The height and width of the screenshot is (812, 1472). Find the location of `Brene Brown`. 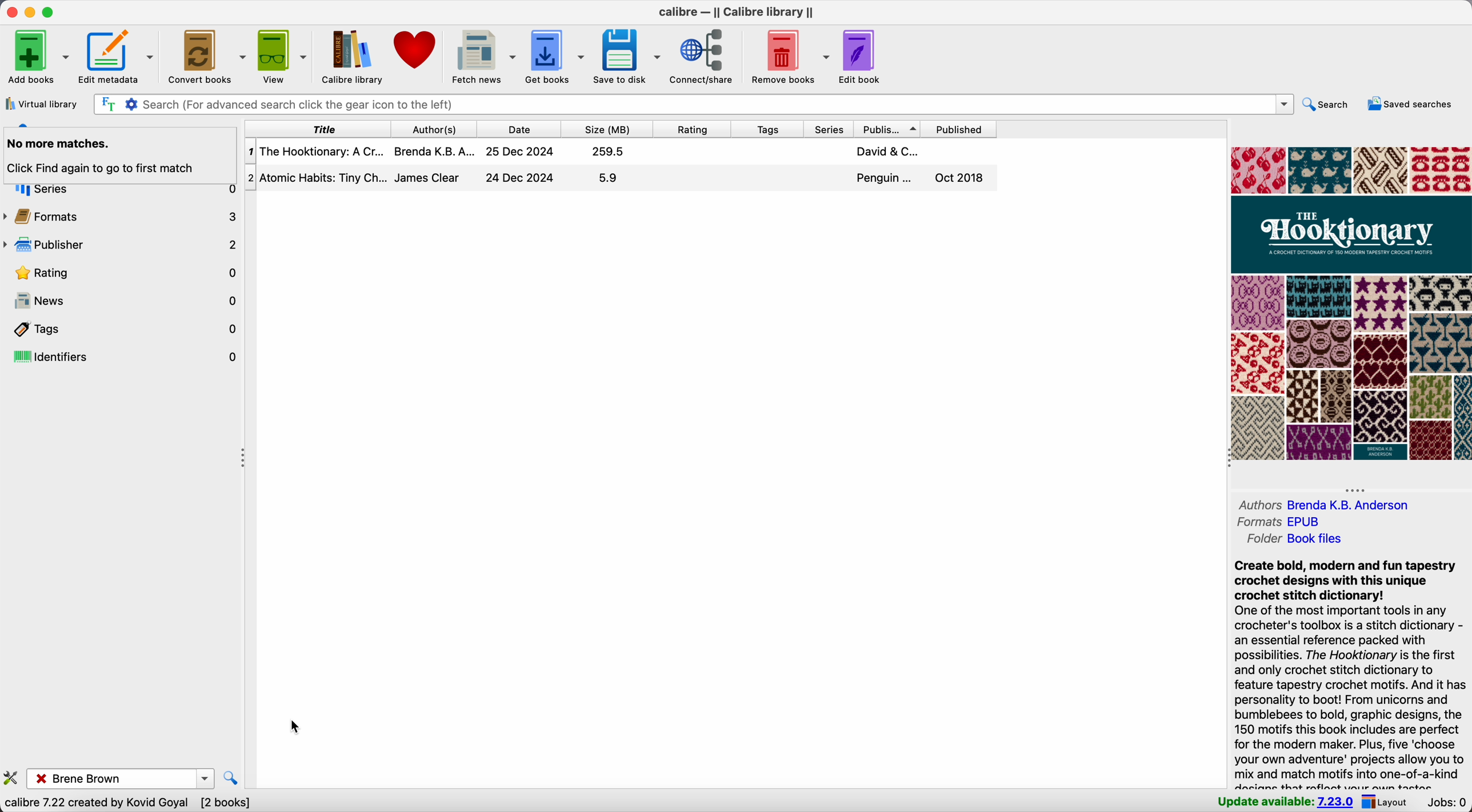

Brene Brown is located at coordinates (122, 777).